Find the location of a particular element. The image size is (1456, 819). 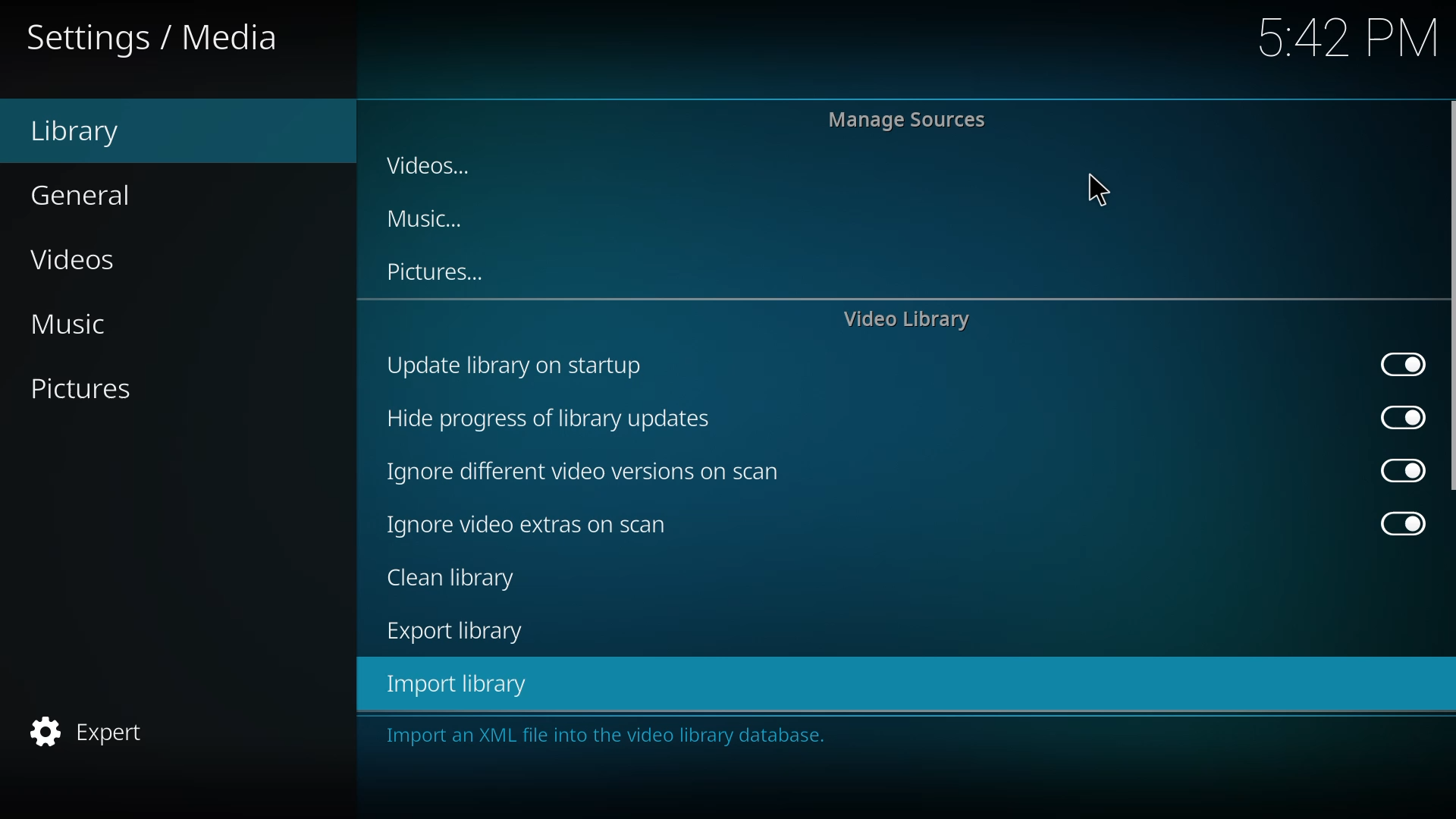

import library is located at coordinates (452, 683).